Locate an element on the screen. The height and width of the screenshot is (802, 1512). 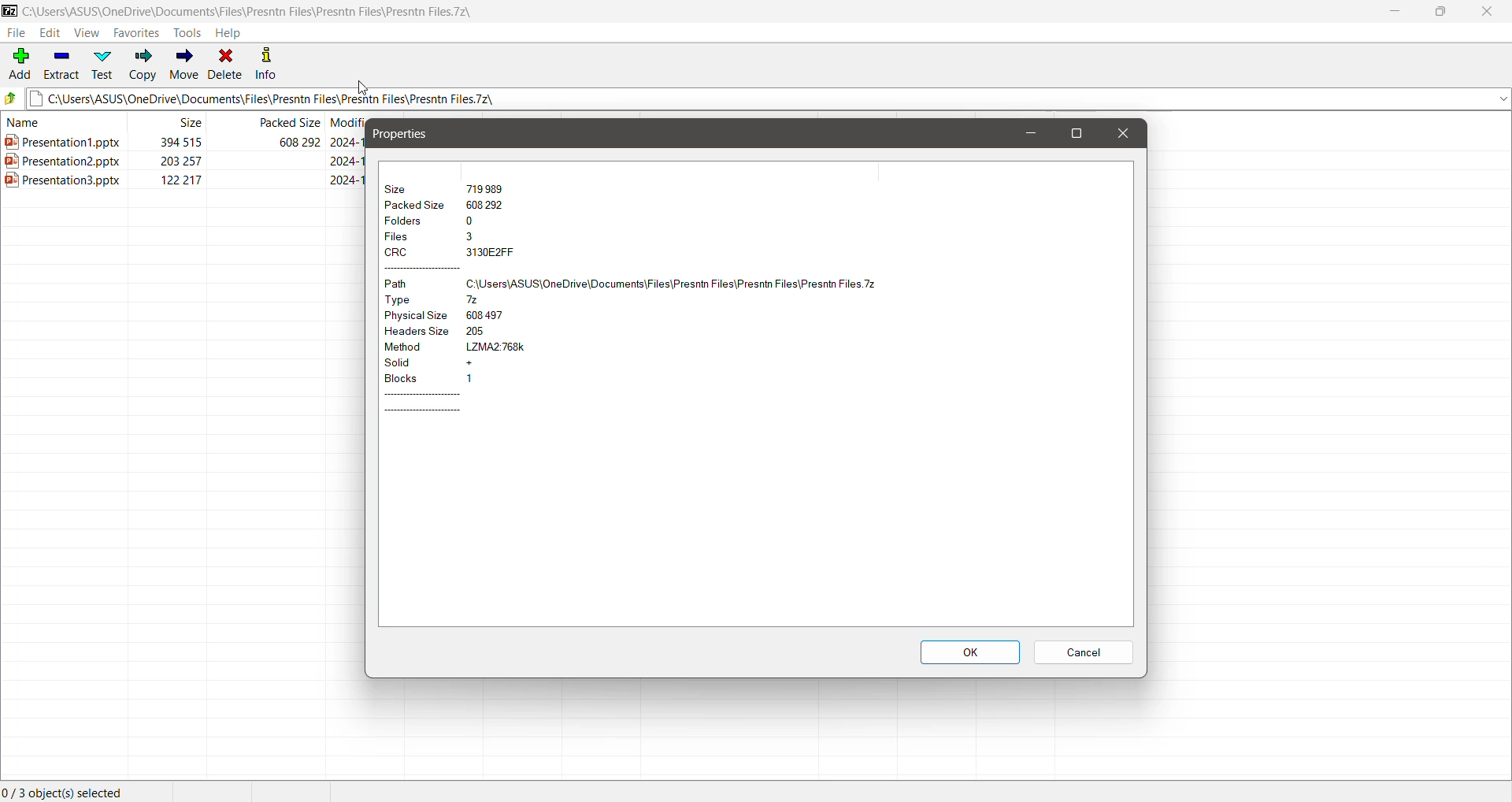
Packed Size is located at coordinates (416, 207).